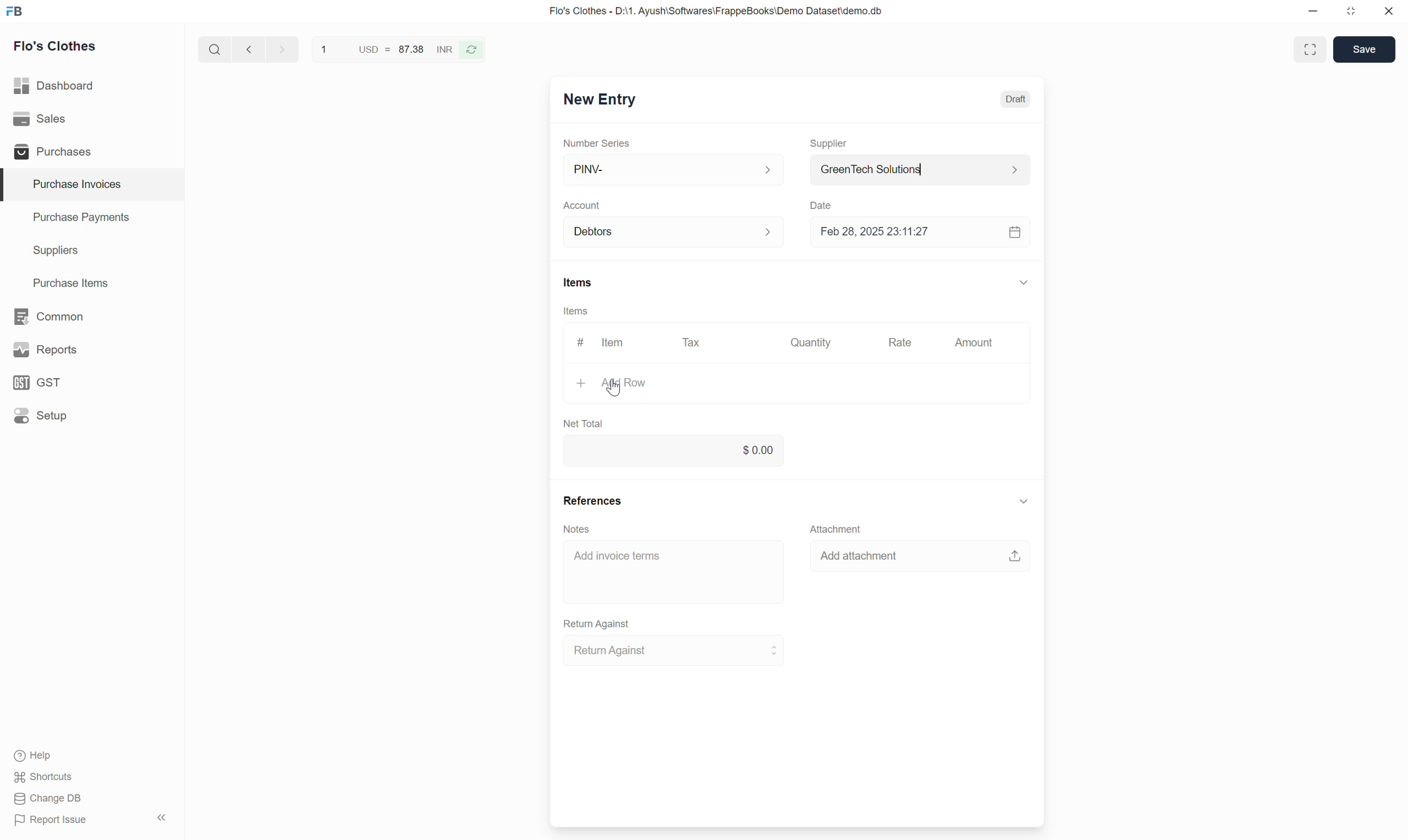  Describe the element at coordinates (673, 451) in the screenshot. I see `0.00` at that location.